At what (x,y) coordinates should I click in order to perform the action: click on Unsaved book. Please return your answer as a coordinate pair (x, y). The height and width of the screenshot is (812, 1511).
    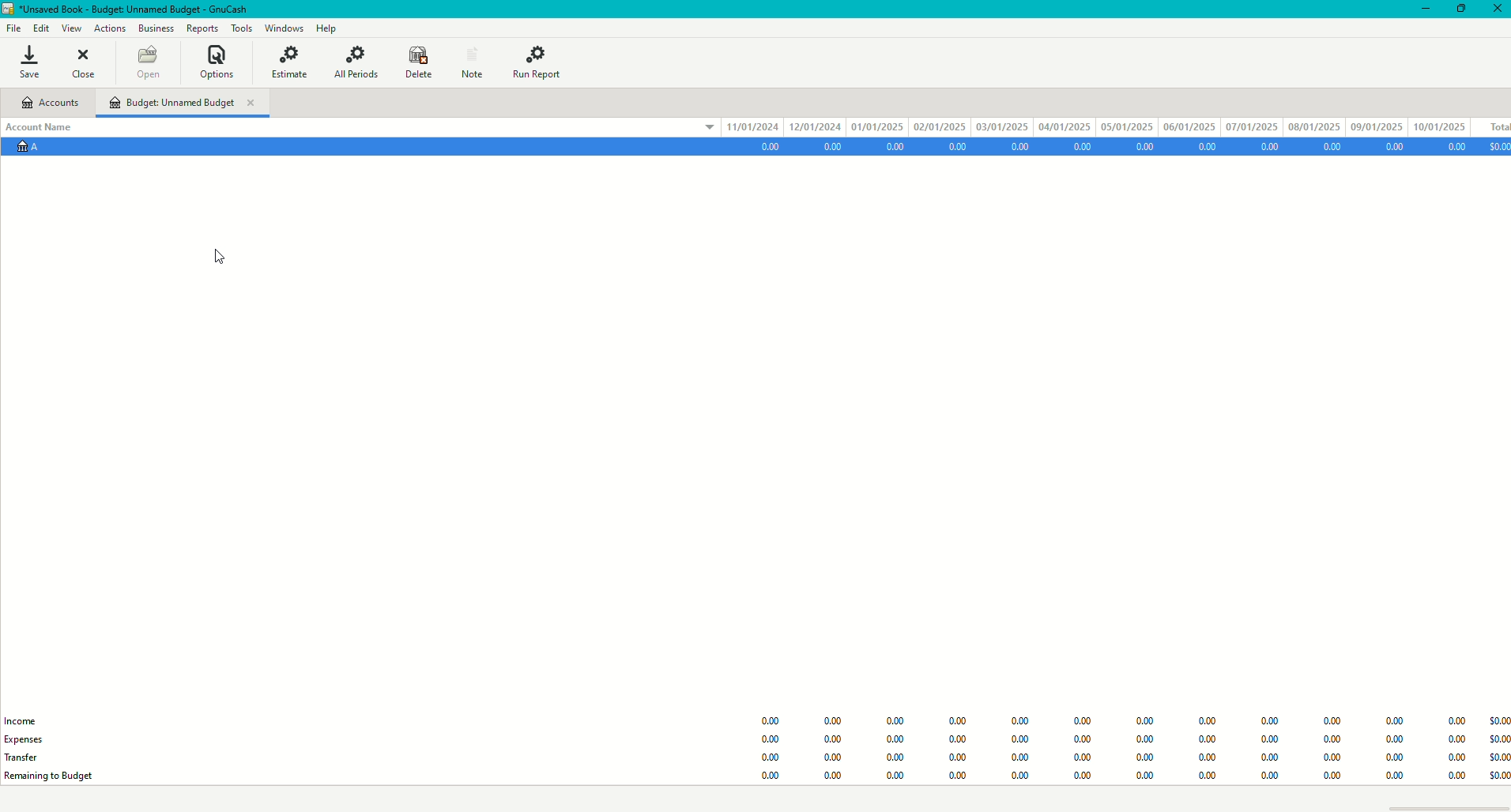
    Looking at the image, I should click on (135, 9).